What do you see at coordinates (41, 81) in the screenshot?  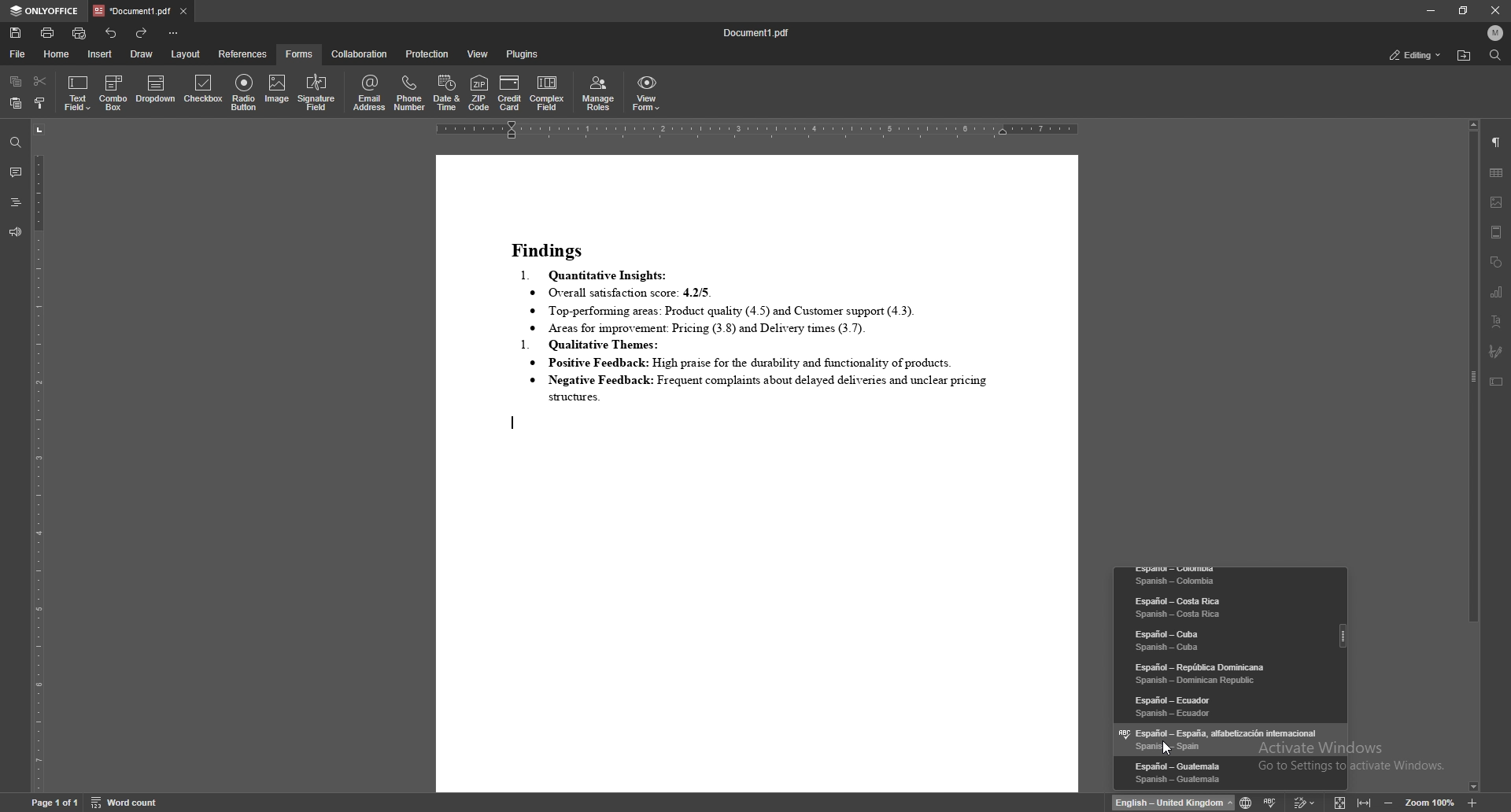 I see `cut` at bounding box center [41, 81].